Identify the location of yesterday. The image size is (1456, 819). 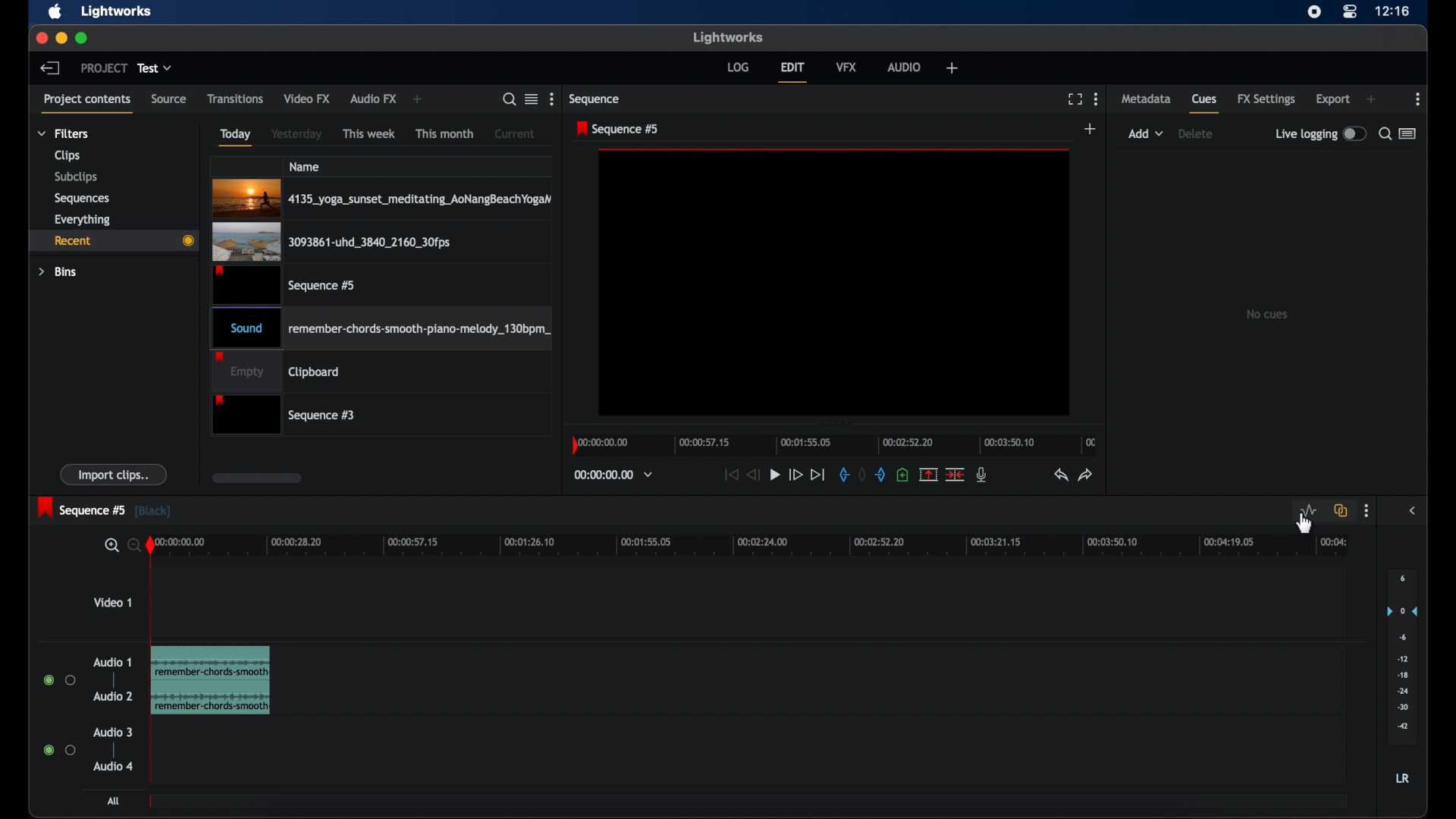
(297, 134).